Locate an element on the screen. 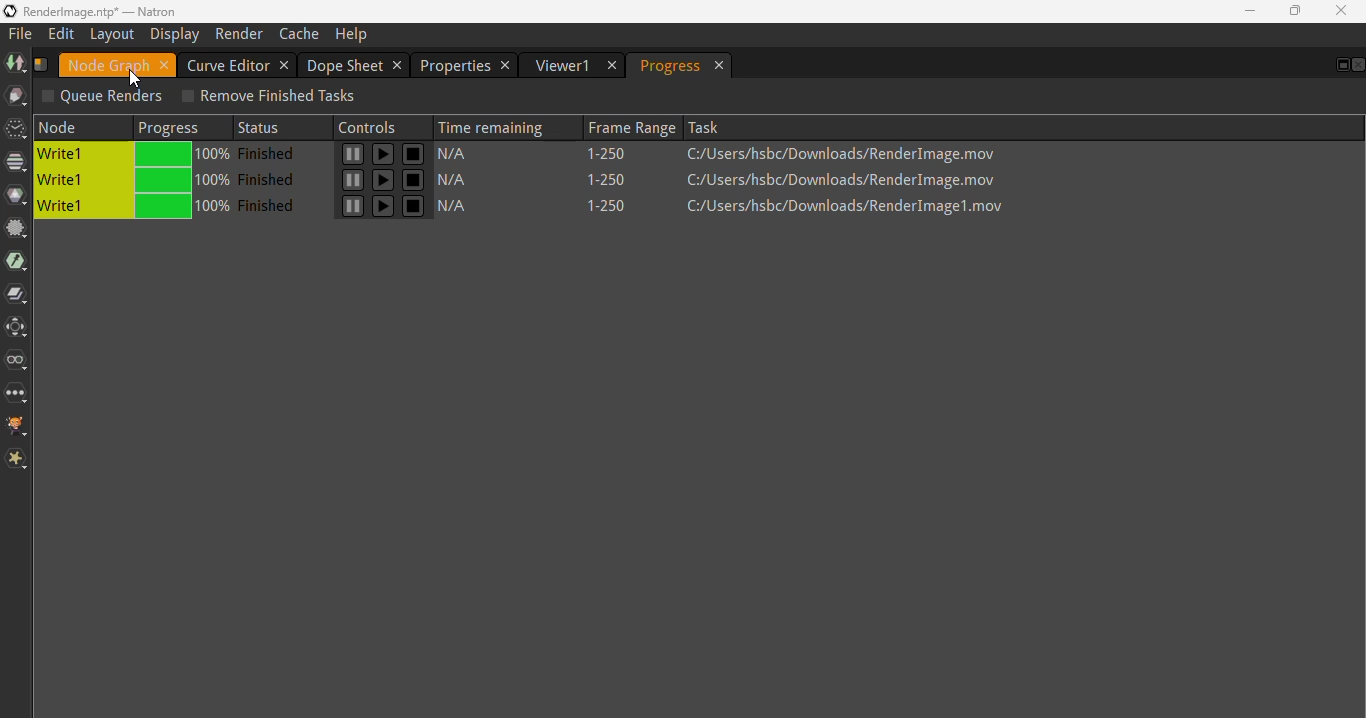 The width and height of the screenshot is (1366, 718). filter is located at coordinates (17, 228).